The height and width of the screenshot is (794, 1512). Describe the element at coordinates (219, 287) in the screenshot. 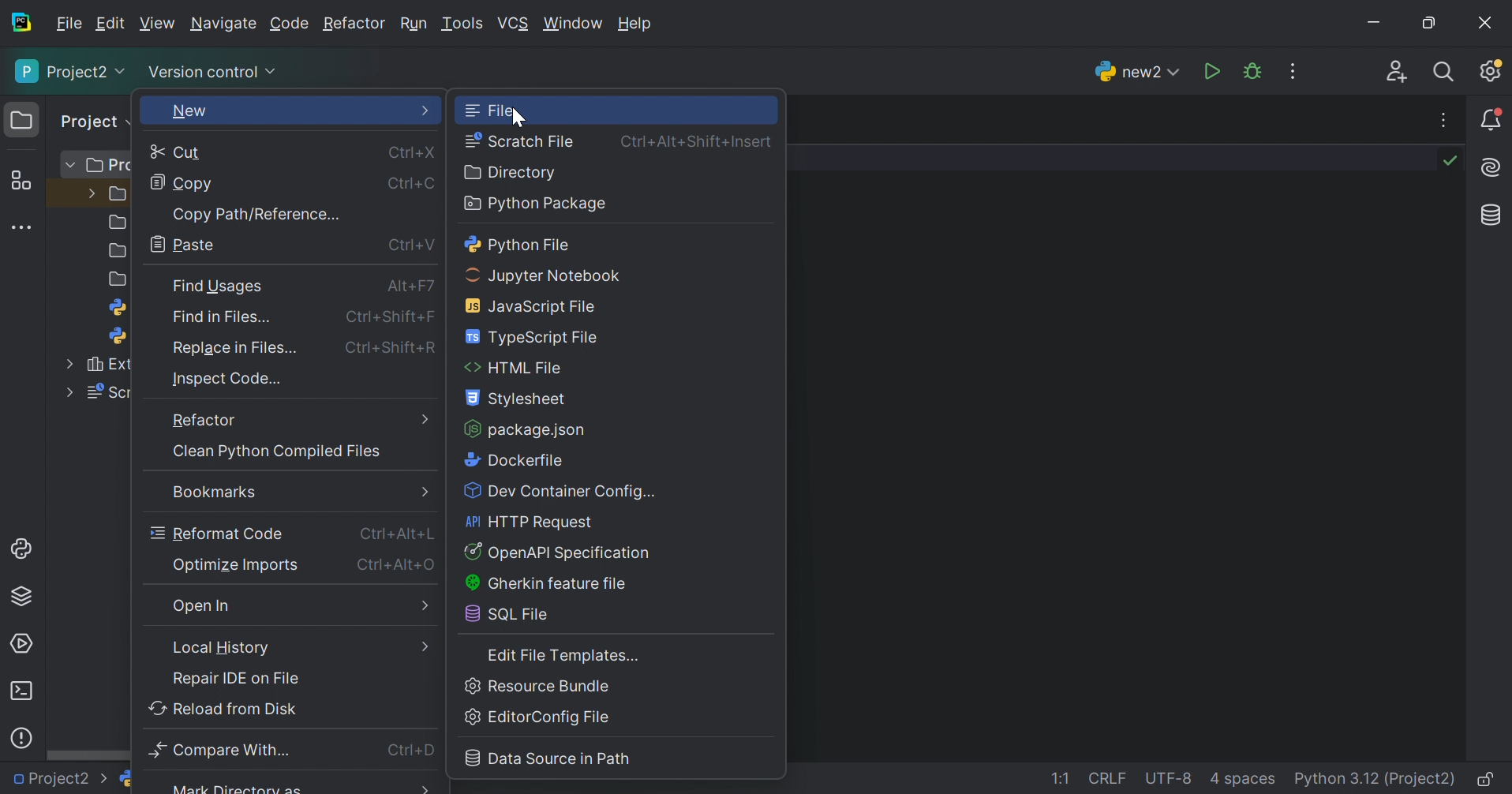

I see `Find usages` at that location.